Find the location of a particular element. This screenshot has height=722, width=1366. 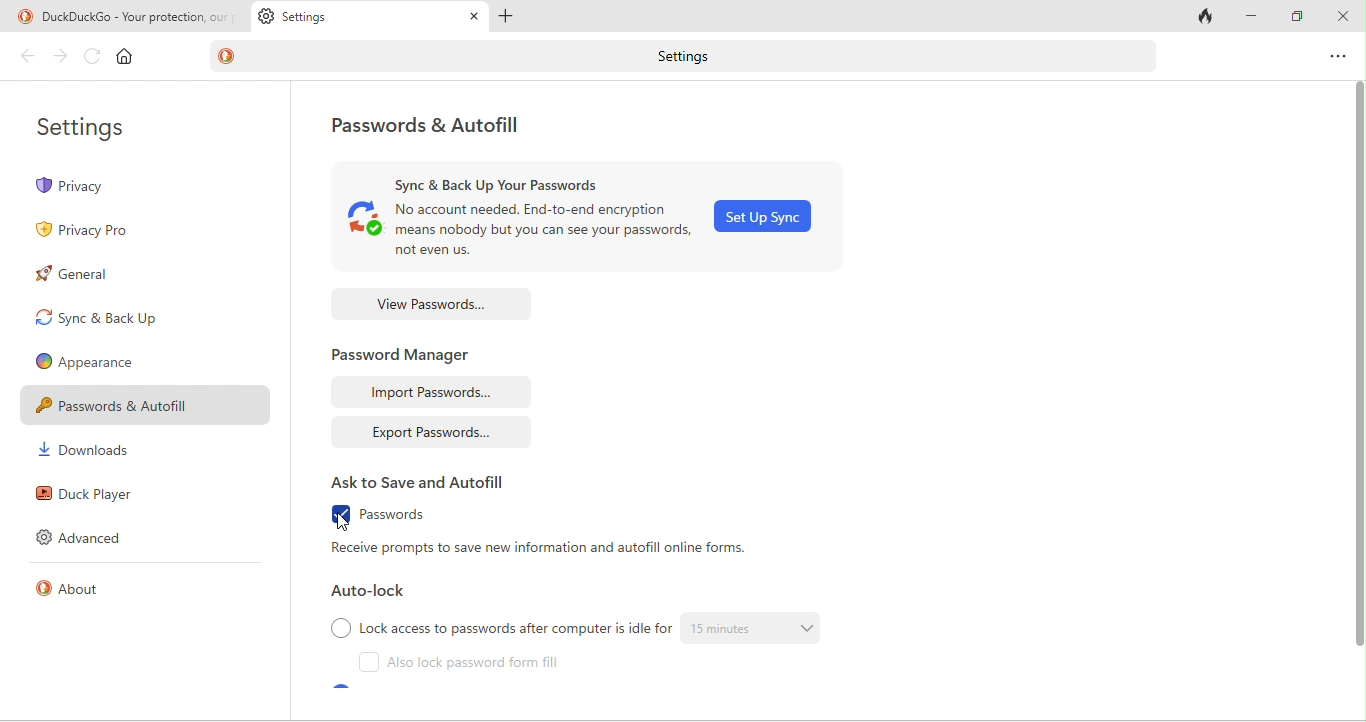

close tab and clear data is located at coordinates (1202, 15).